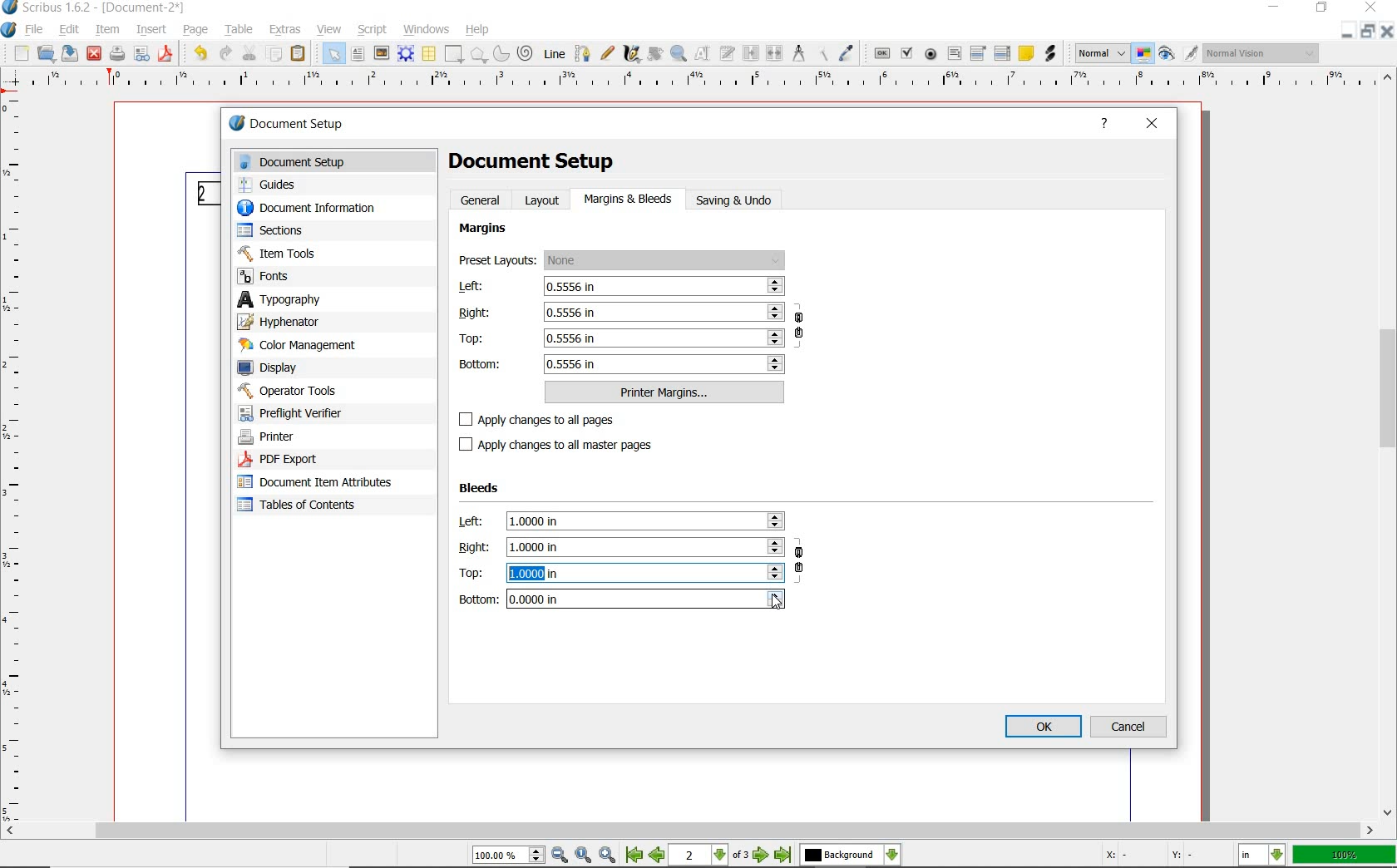  Describe the element at coordinates (482, 489) in the screenshot. I see `Bleeds` at that location.